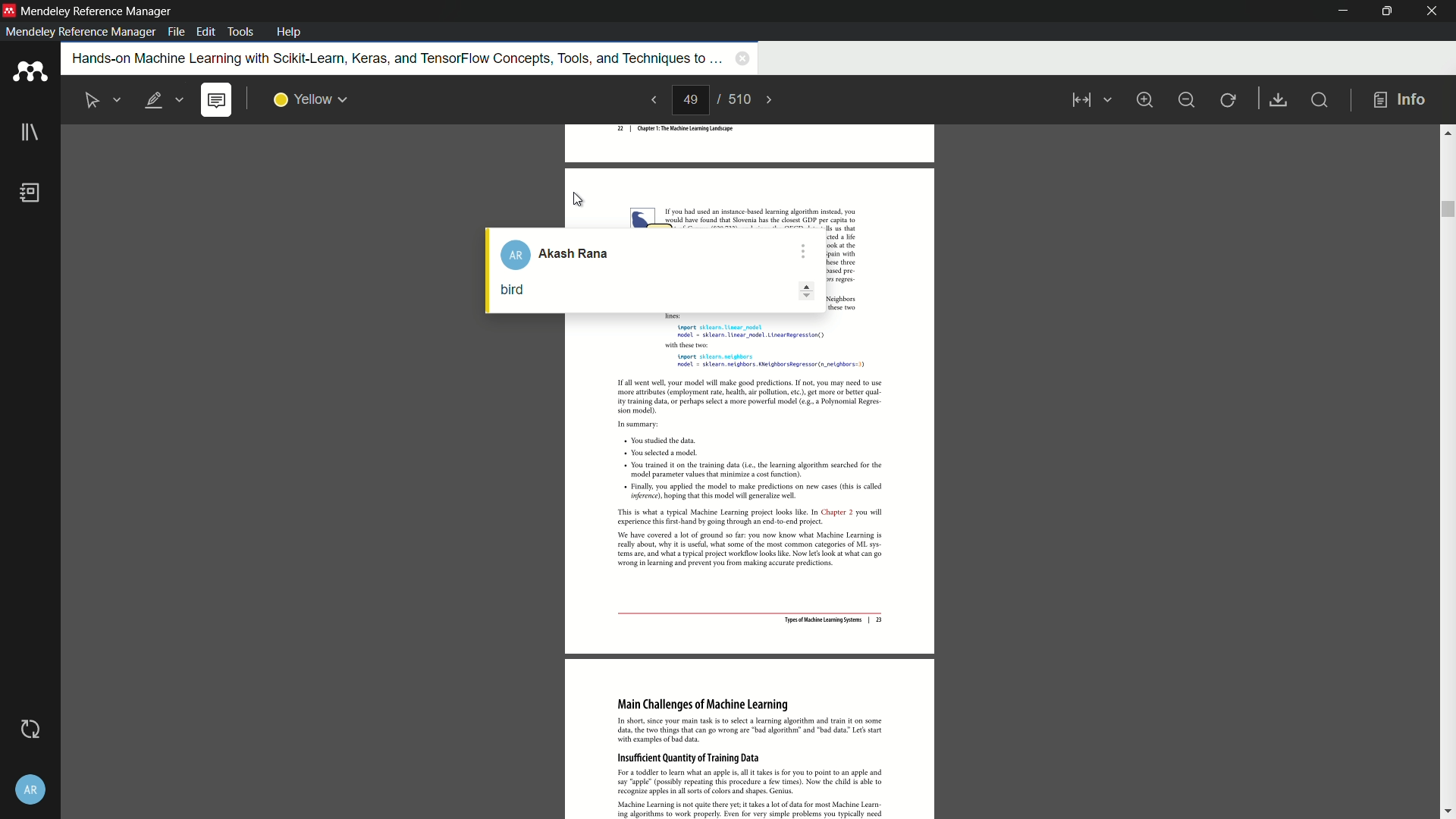  What do you see at coordinates (1337, 11) in the screenshot?
I see `minimize` at bounding box center [1337, 11].